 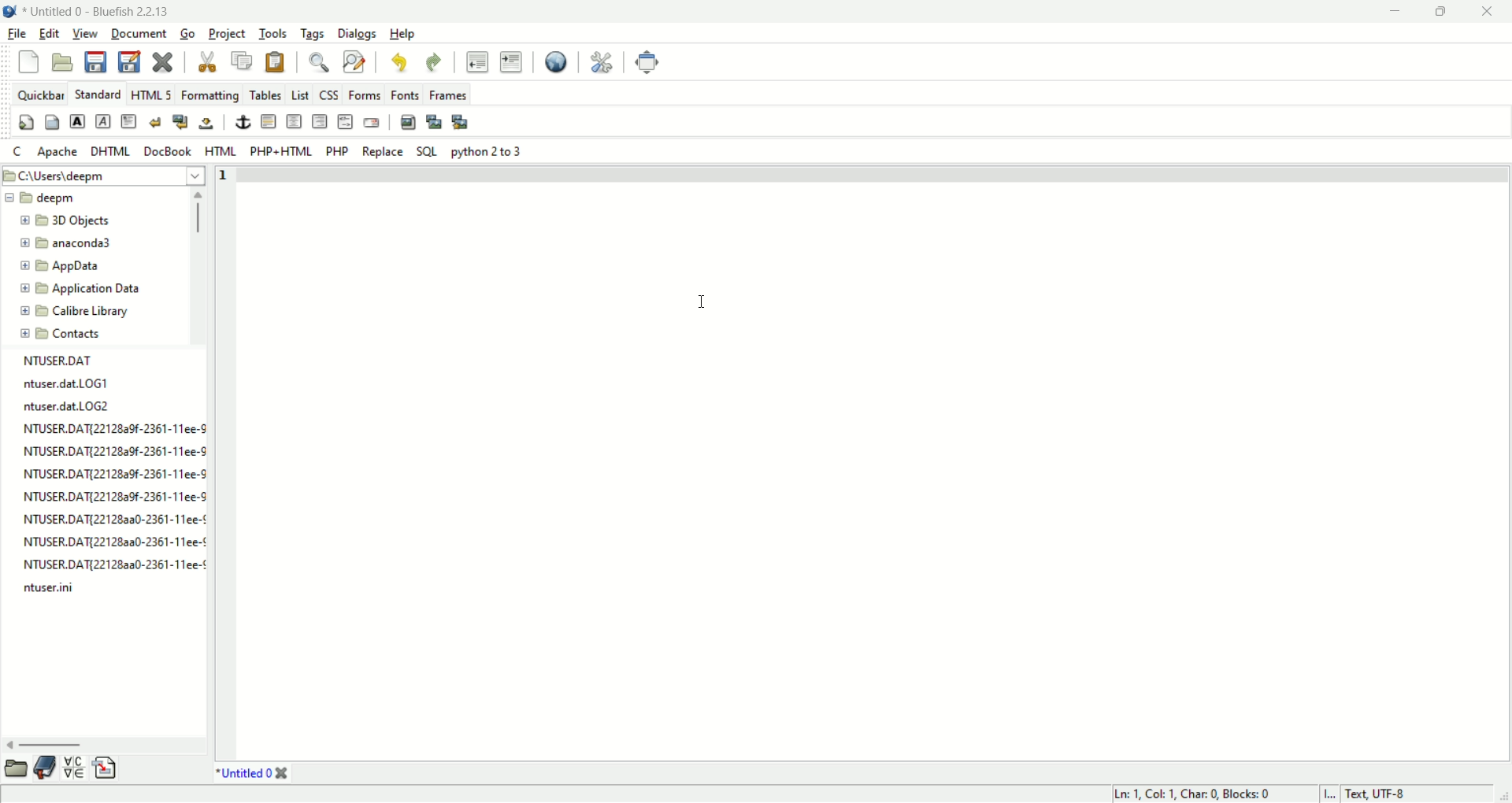 I want to click on NTUSER.DAT{2212829f-2361-11ee-S, so click(x=112, y=496).